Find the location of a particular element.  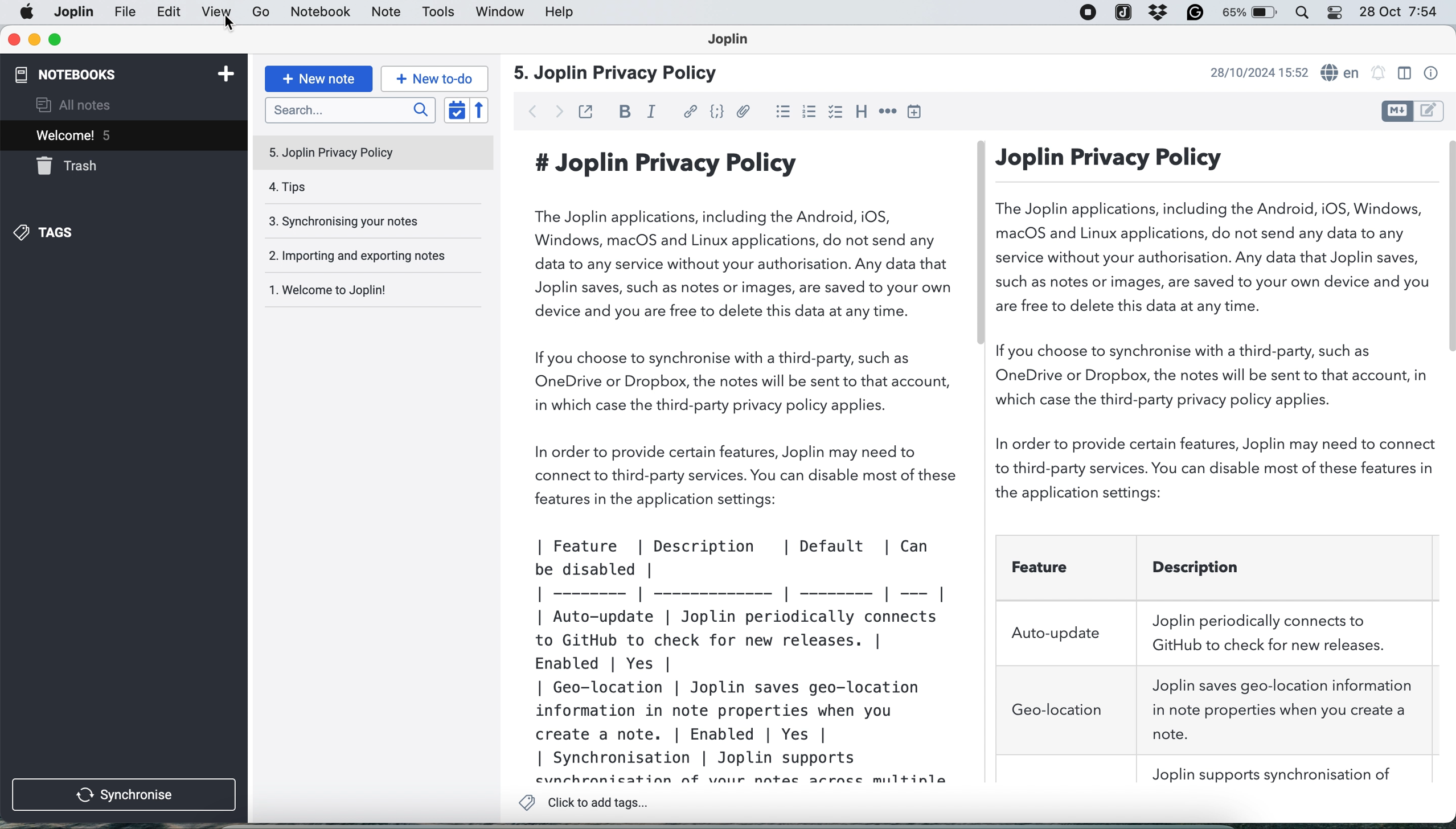

date and time is located at coordinates (1256, 72).